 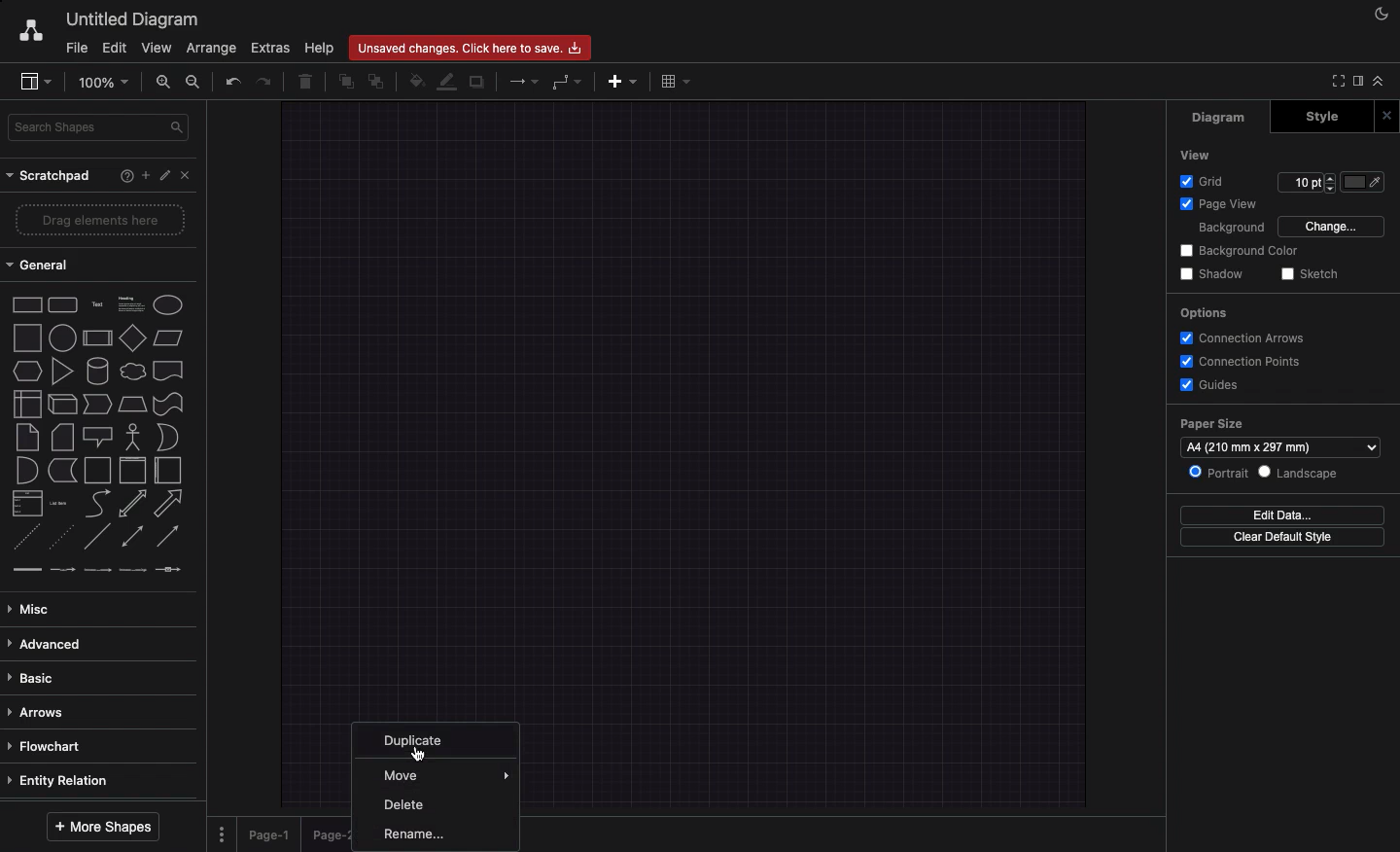 What do you see at coordinates (1307, 275) in the screenshot?
I see `Sketch` at bounding box center [1307, 275].